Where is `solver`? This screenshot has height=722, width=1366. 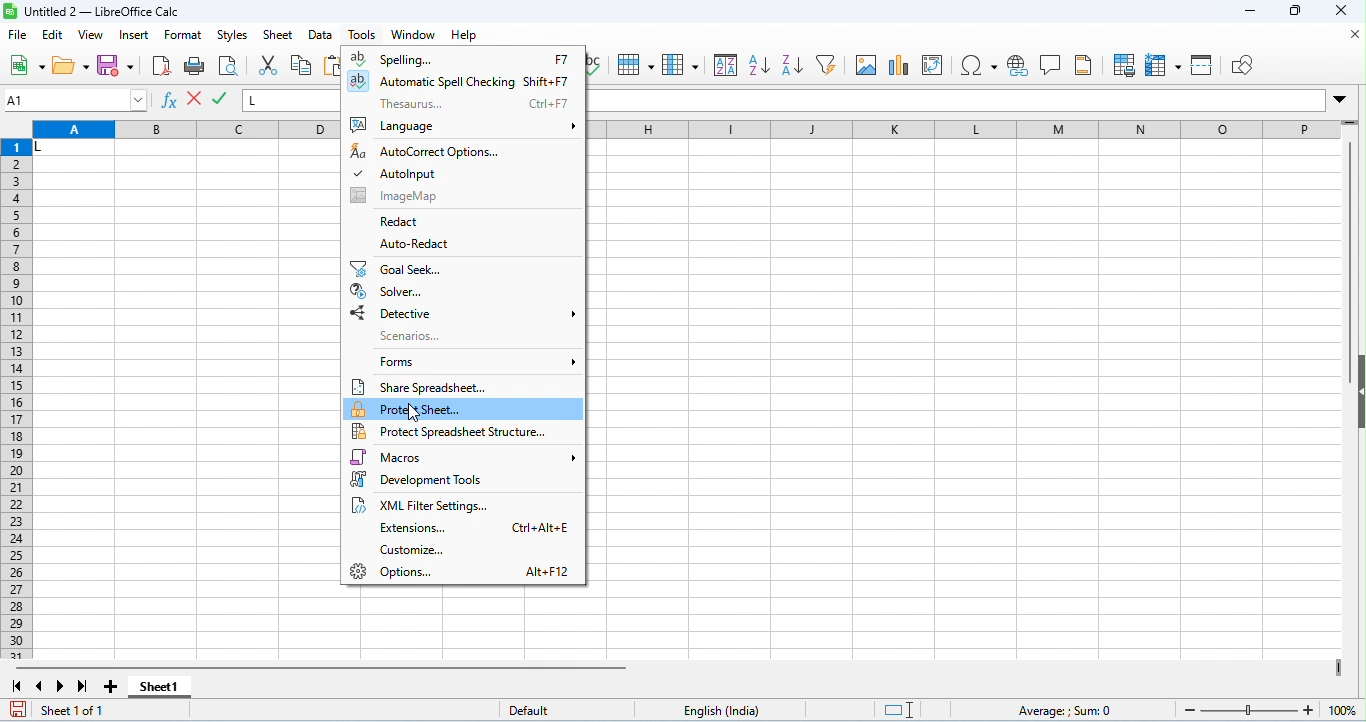
solver is located at coordinates (390, 292).